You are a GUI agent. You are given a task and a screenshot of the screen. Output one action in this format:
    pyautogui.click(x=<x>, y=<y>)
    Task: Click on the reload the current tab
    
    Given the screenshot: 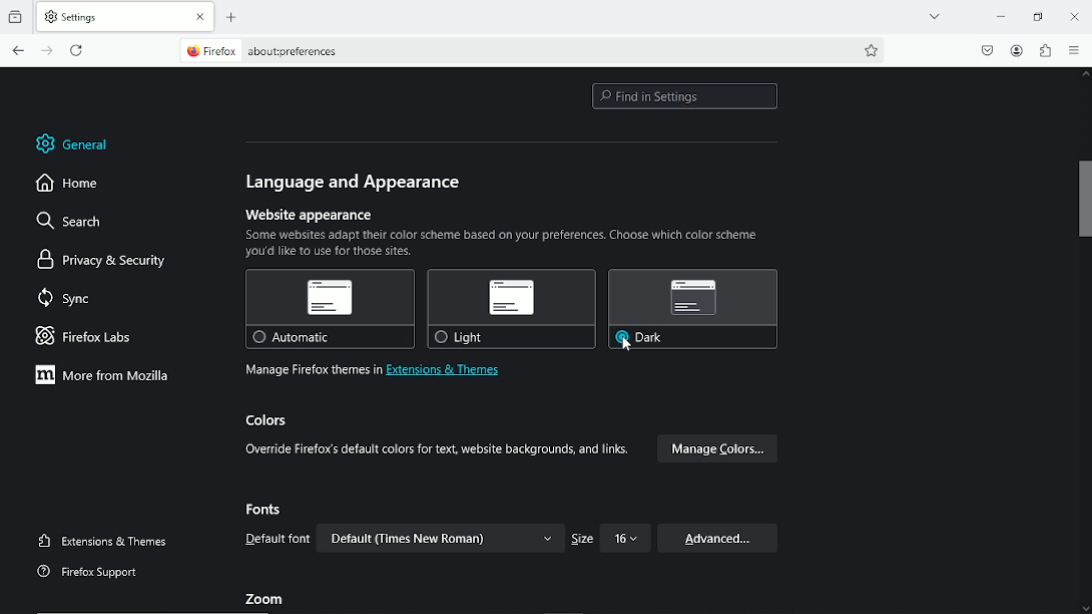 What is the action you would take?
    pyautogui.click(x=78, y=50)
    